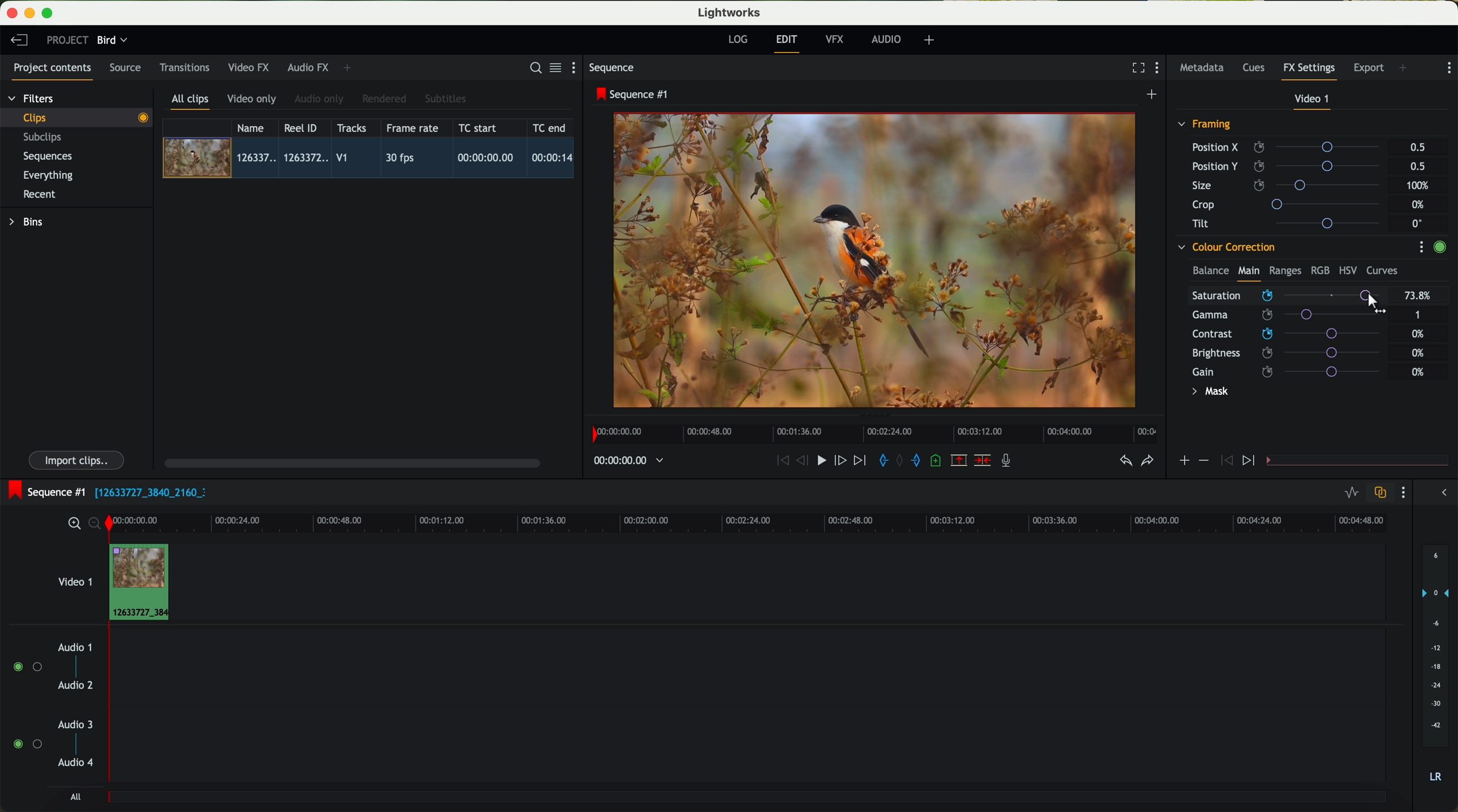  Describe the element at coordinates (1225, 247) in the screenshot. I see `colour correction` at that location.